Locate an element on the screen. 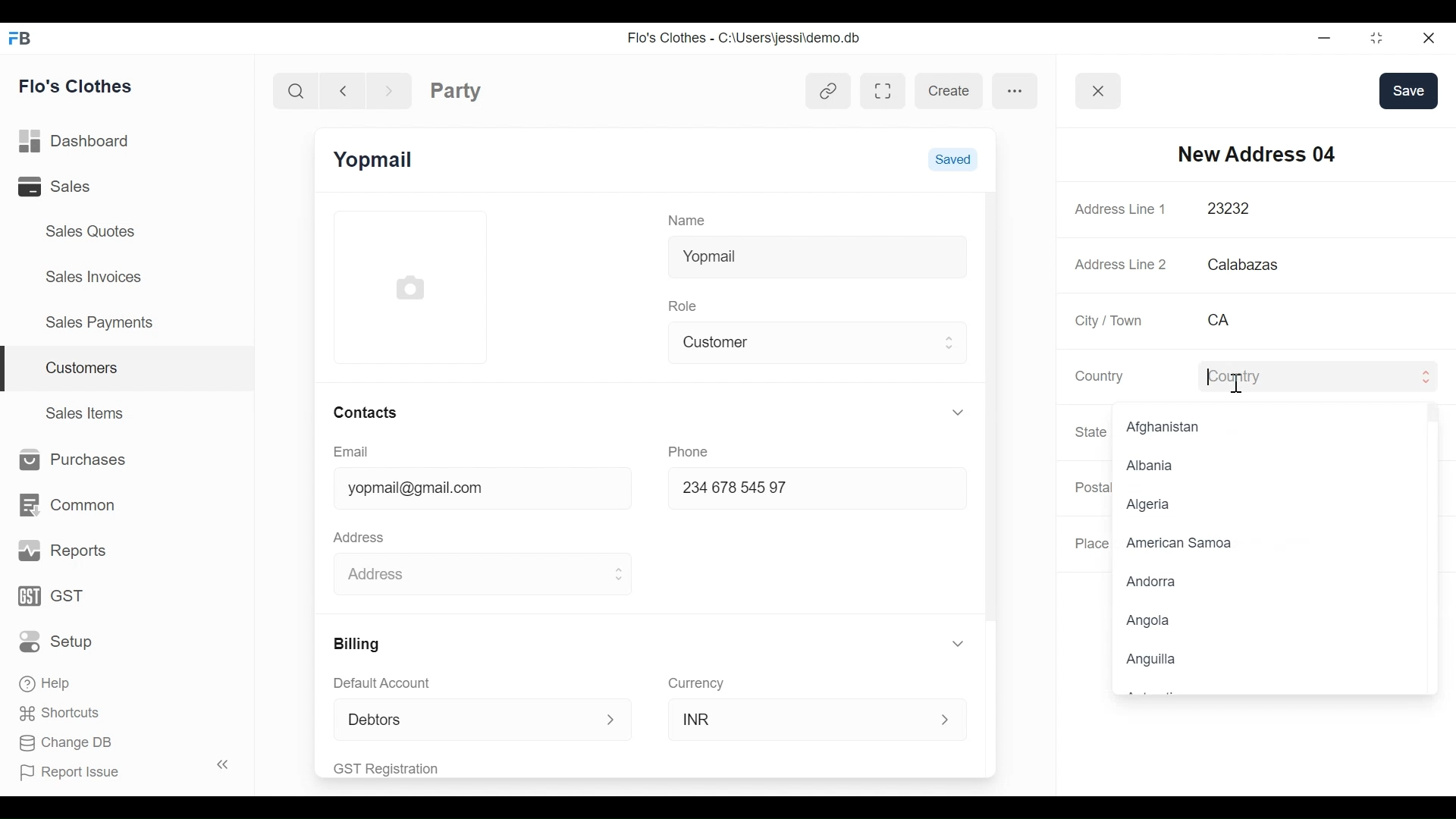 The width and height of the screenshot is (1456, 819). Expand is located at coordinates (958, 412).